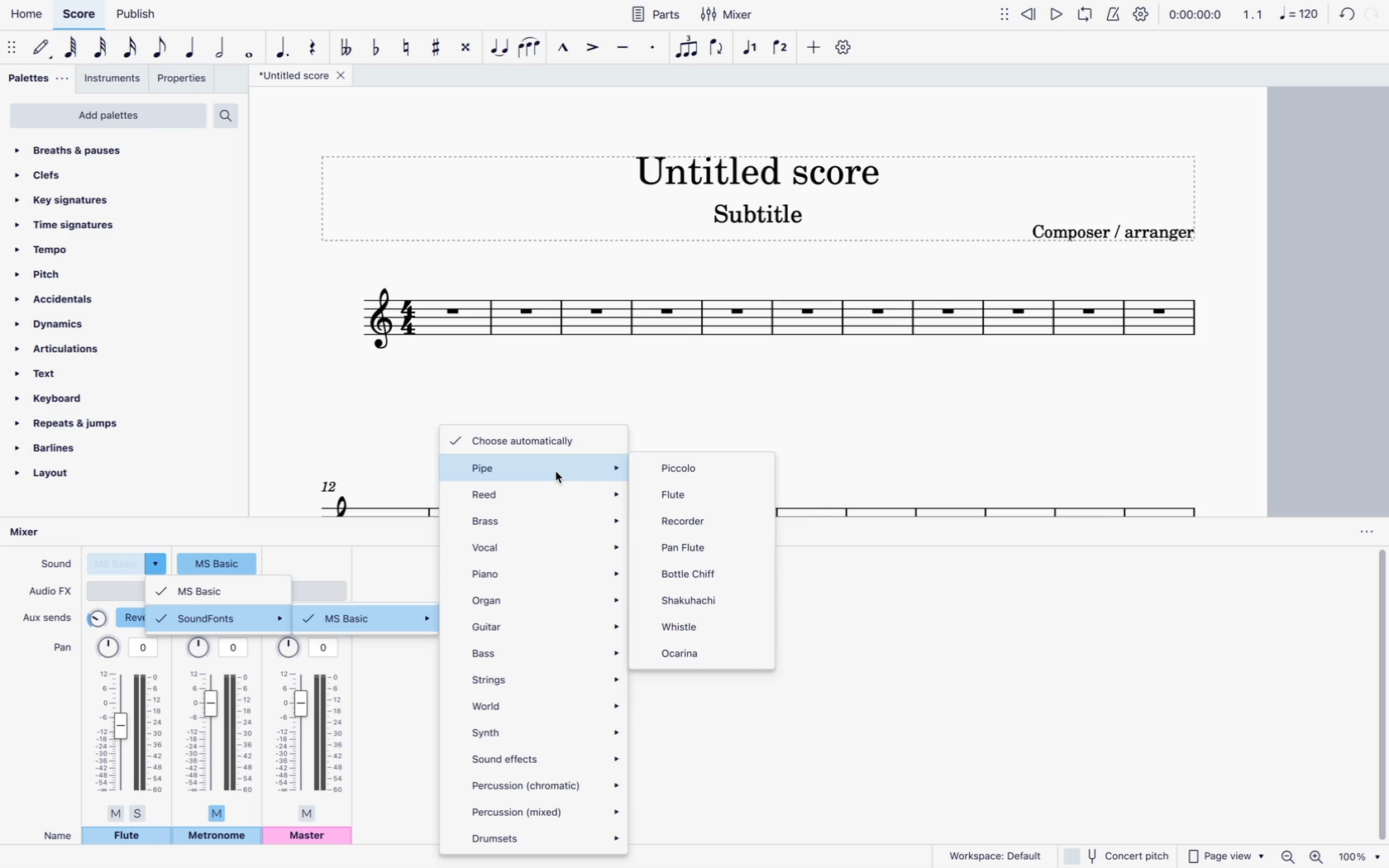 The image size is (1389, 868). I want to click on rewind, so click(1031, 12).